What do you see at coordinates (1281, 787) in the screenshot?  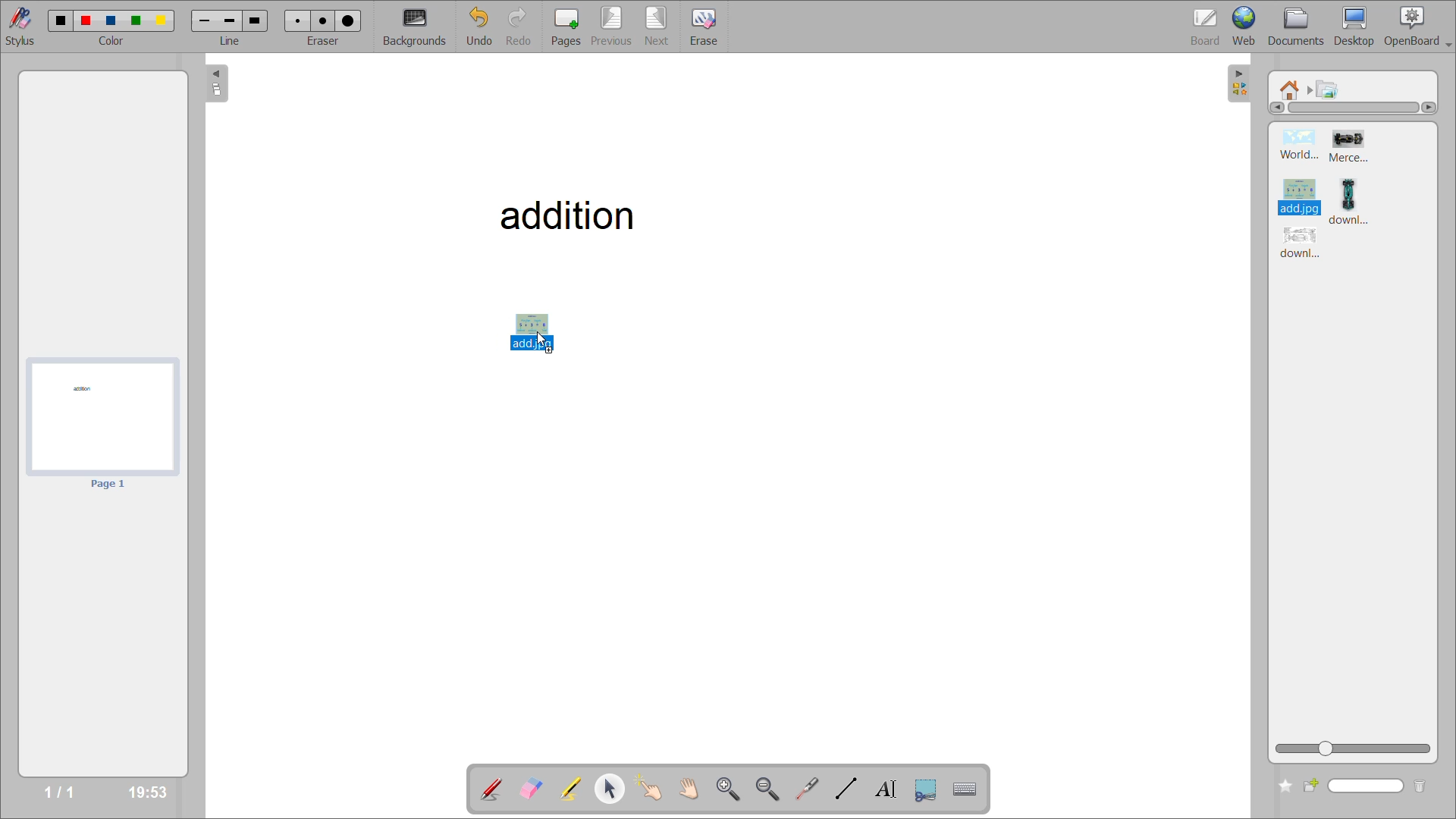 I see `add folder` at bounding box center [1281, 787].